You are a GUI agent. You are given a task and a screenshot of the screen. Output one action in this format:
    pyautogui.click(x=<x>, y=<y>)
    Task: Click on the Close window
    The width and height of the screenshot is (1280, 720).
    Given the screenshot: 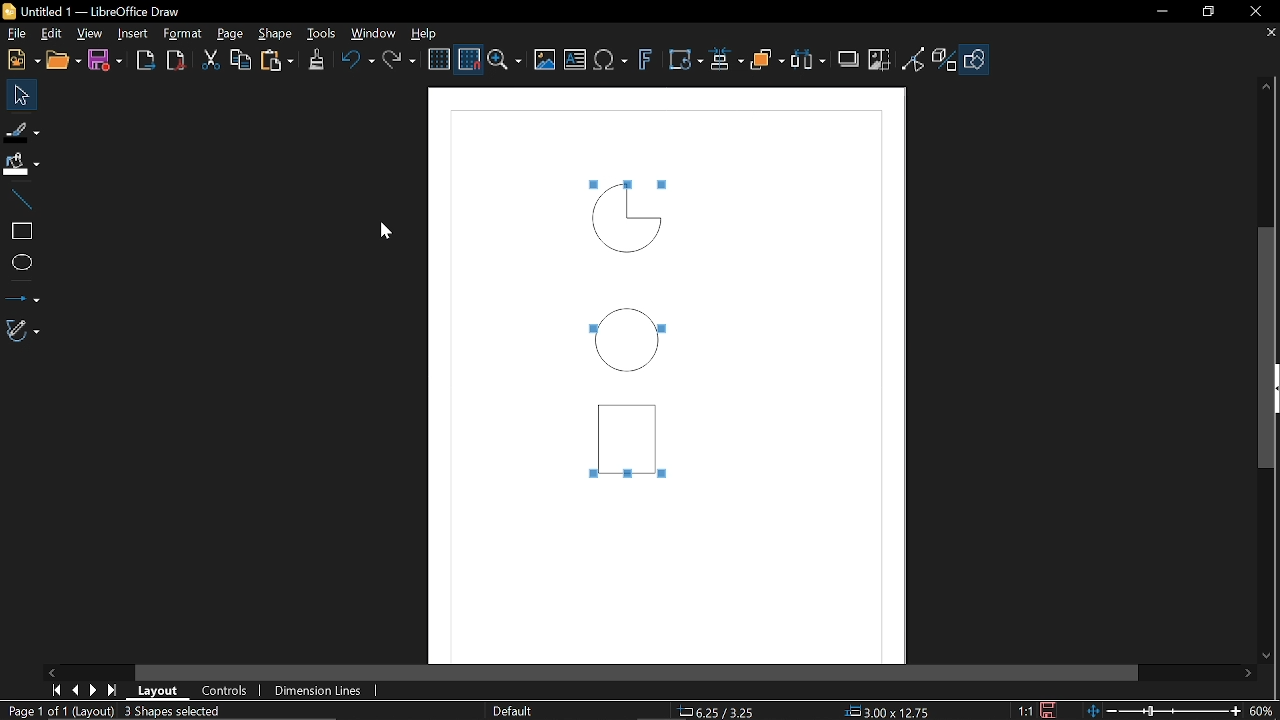 What is the action you would take?
    pyautogui.click(x=1250, y=12)
    